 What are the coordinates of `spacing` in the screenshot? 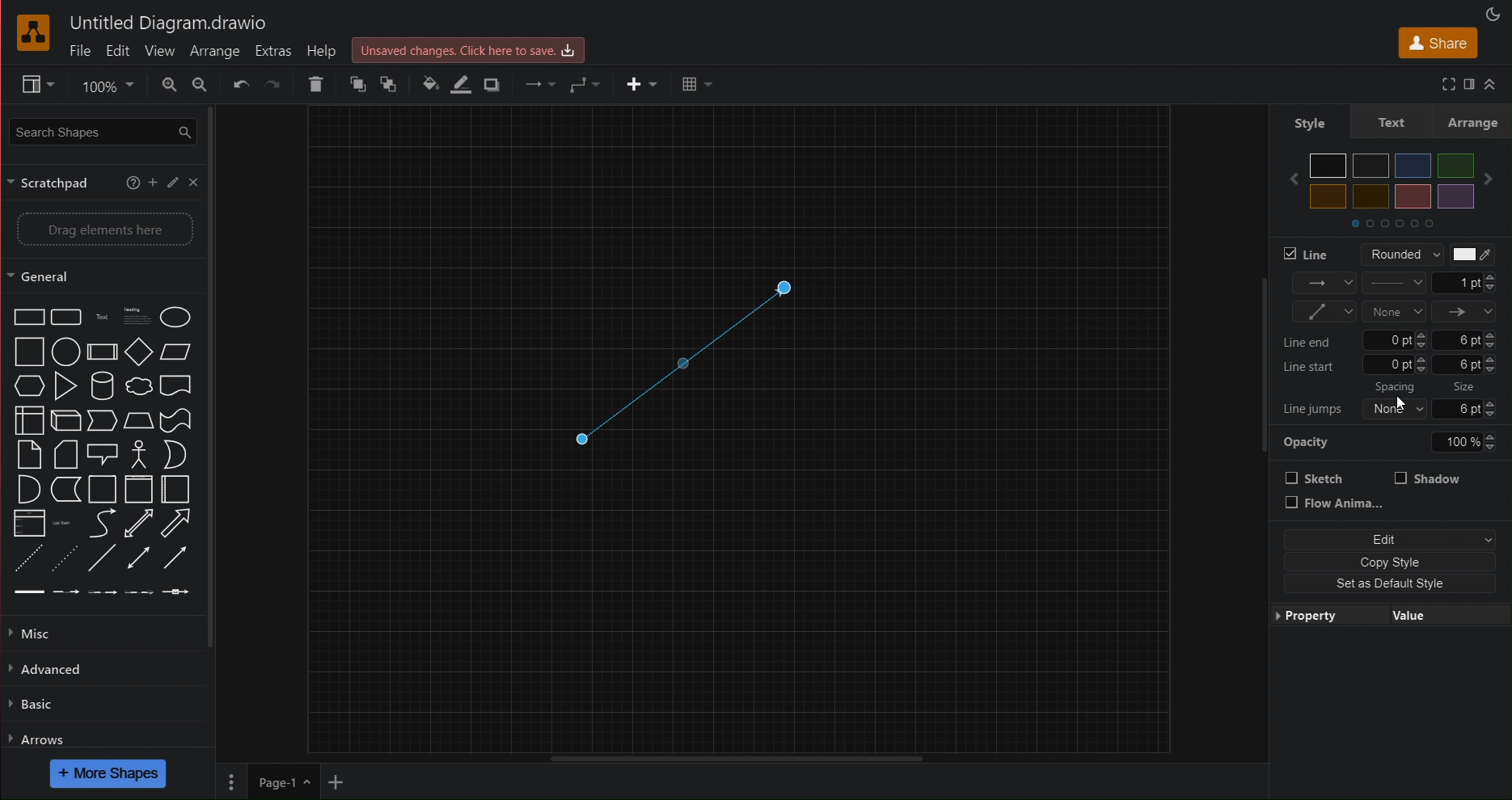 It's located at (1399, 388).